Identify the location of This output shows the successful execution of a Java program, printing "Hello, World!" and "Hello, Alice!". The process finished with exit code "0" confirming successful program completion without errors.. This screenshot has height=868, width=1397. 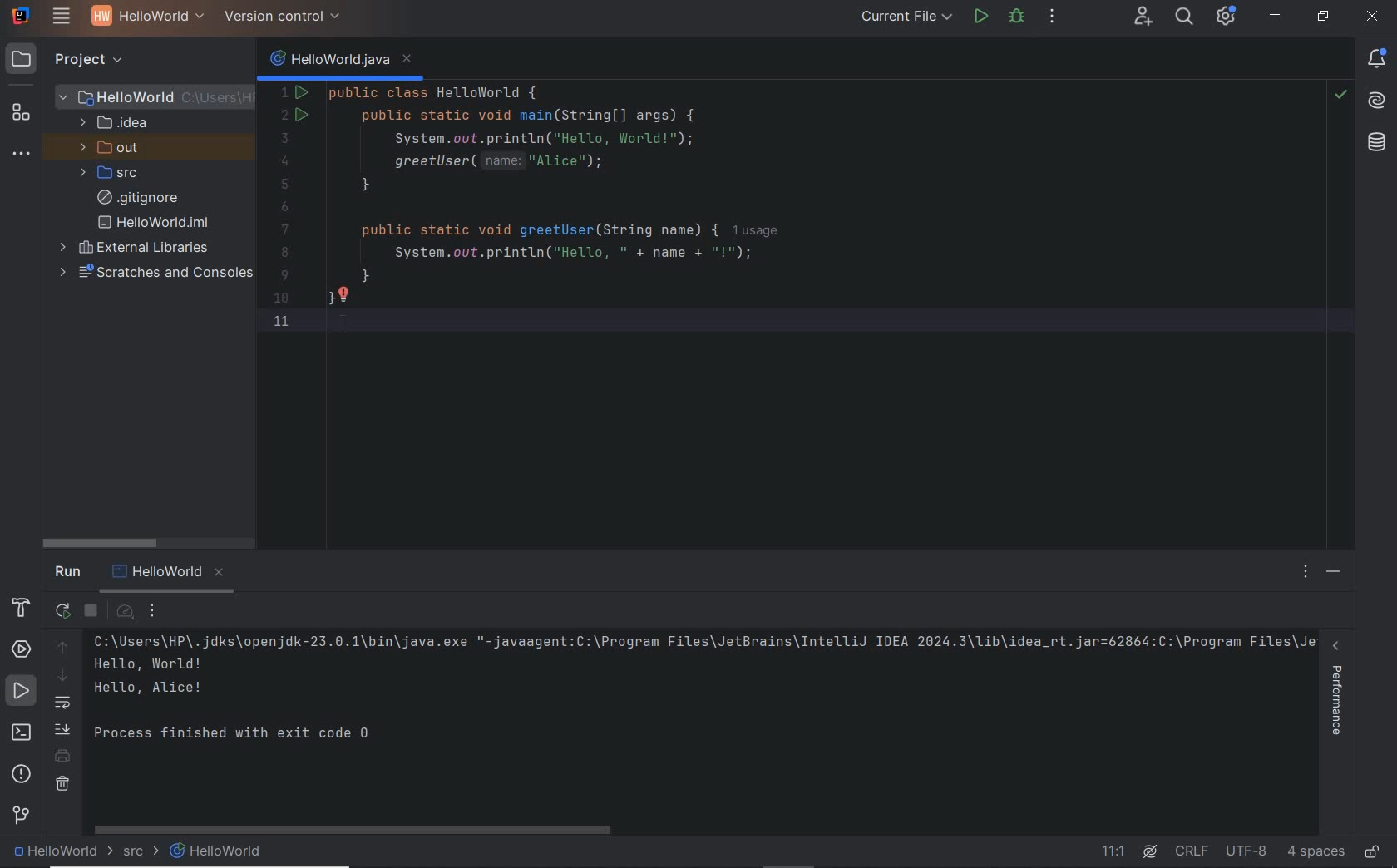
(700, 694).